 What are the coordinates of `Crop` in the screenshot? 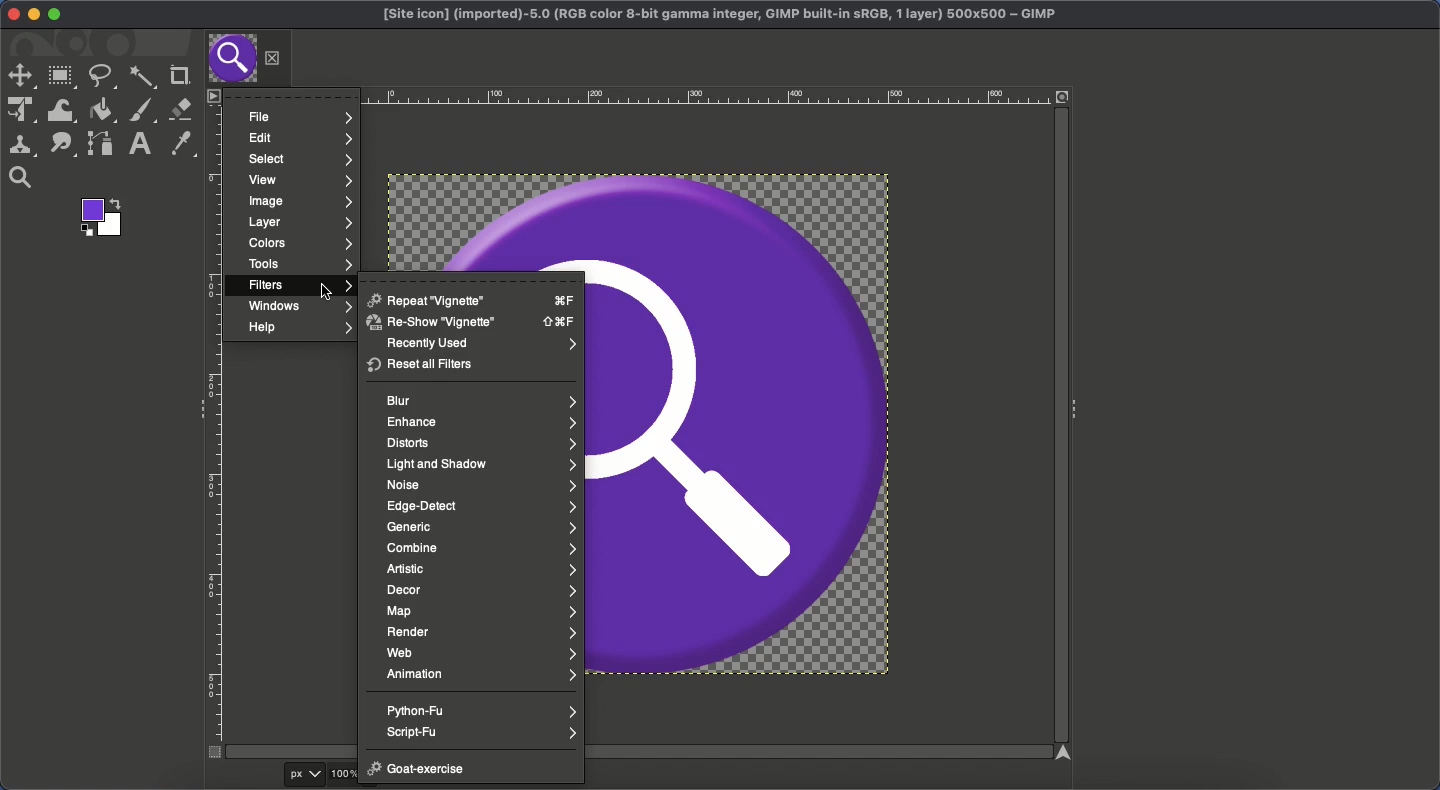 It's located at (177, 76).